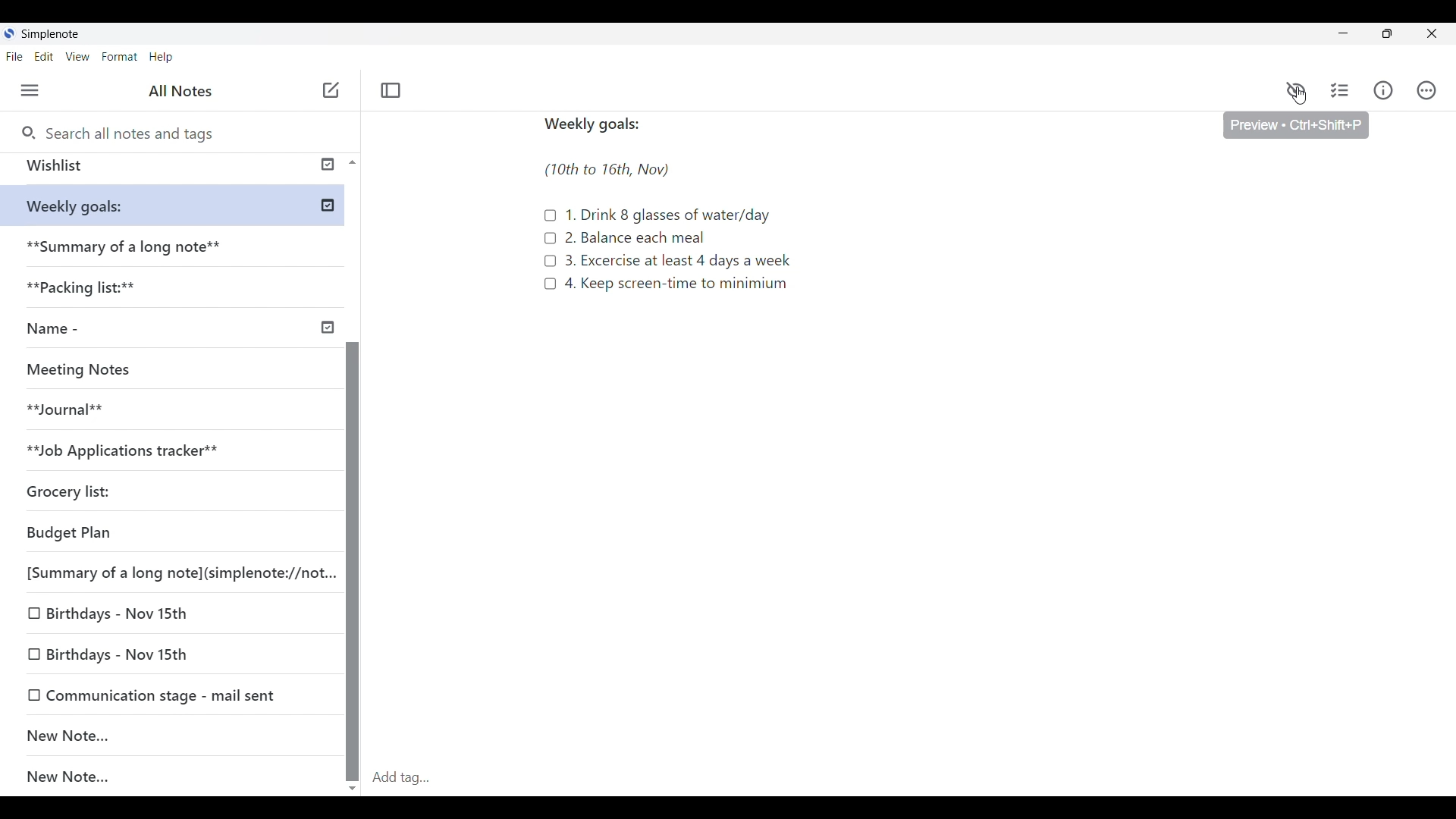 The image size is (1456, 819). I want to click on Add tag, so click(910, 777).